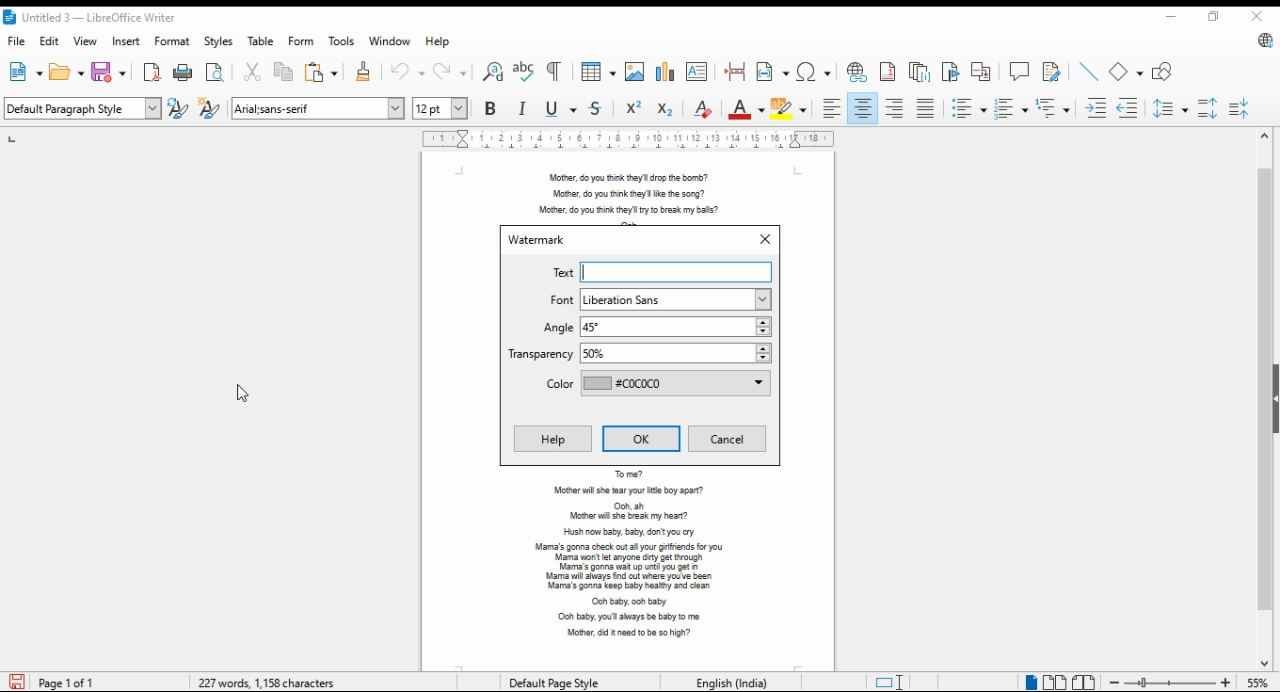 The image size is (1280, 692). What do you see at coordinates (493, 72) in the screenshot?
I see `find and replace` at bounding box center [493, 72].